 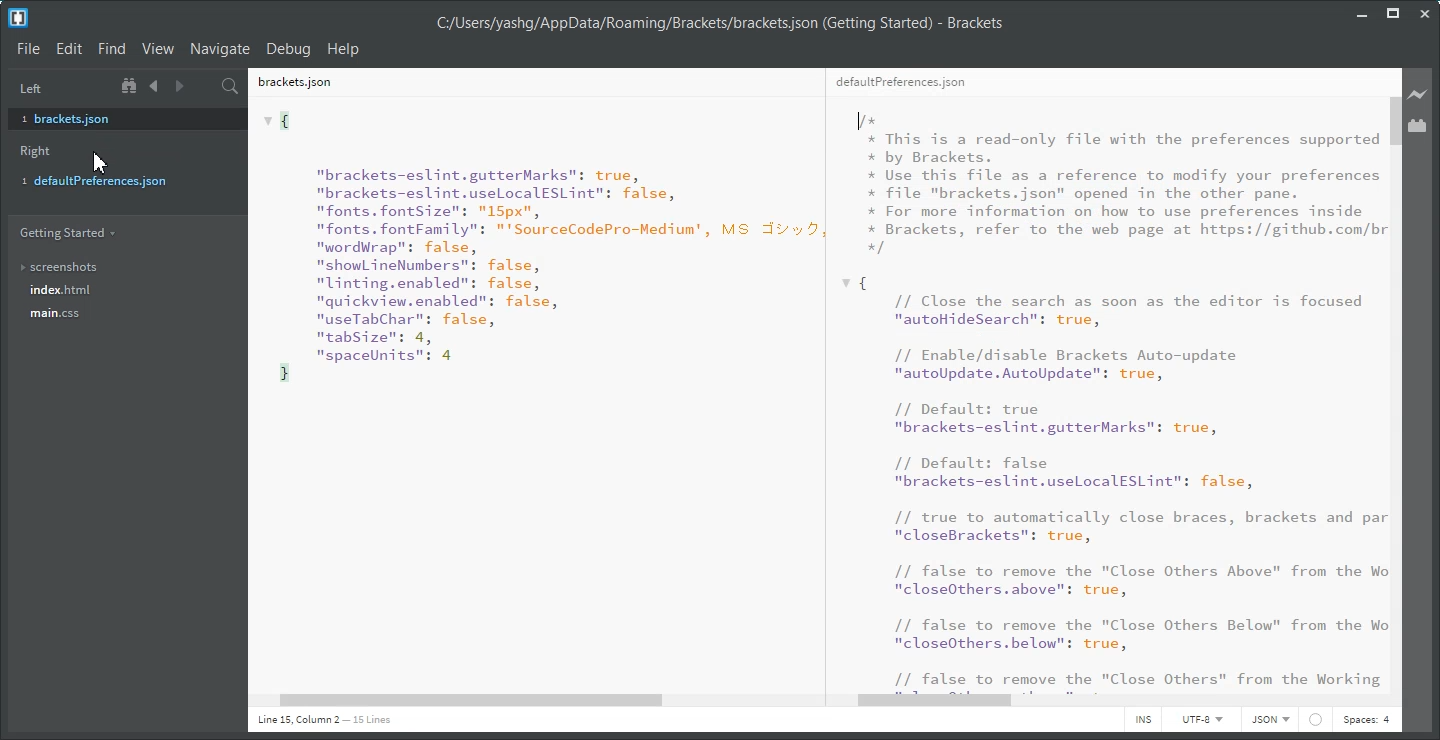 What do you see at coordinates (177, 87) in the screenshot?
I see `Navigate Forward` at bounding box center [177, 87].